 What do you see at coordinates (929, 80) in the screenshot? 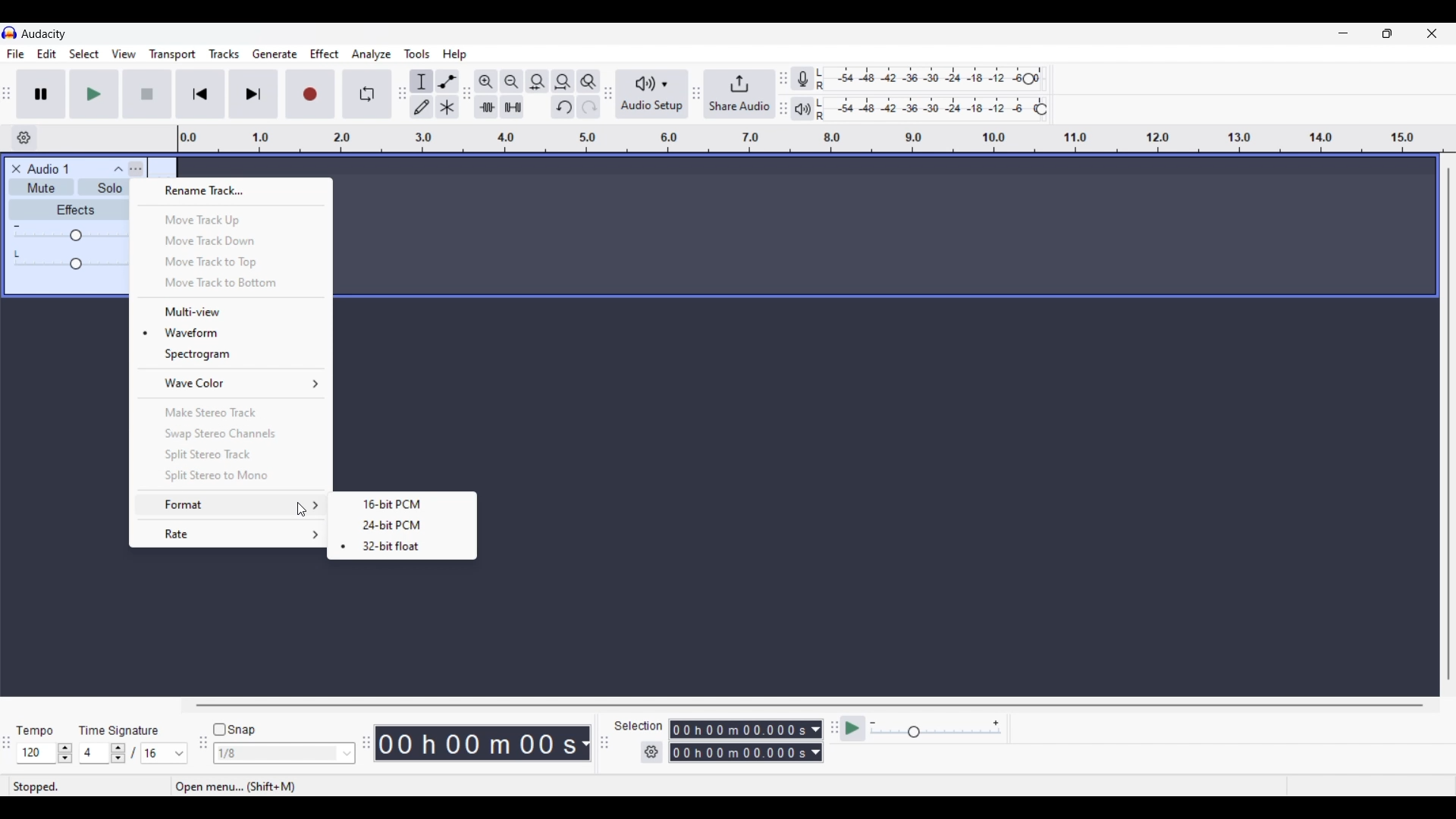
I see `Recording level` at bounding box center [929, 80].